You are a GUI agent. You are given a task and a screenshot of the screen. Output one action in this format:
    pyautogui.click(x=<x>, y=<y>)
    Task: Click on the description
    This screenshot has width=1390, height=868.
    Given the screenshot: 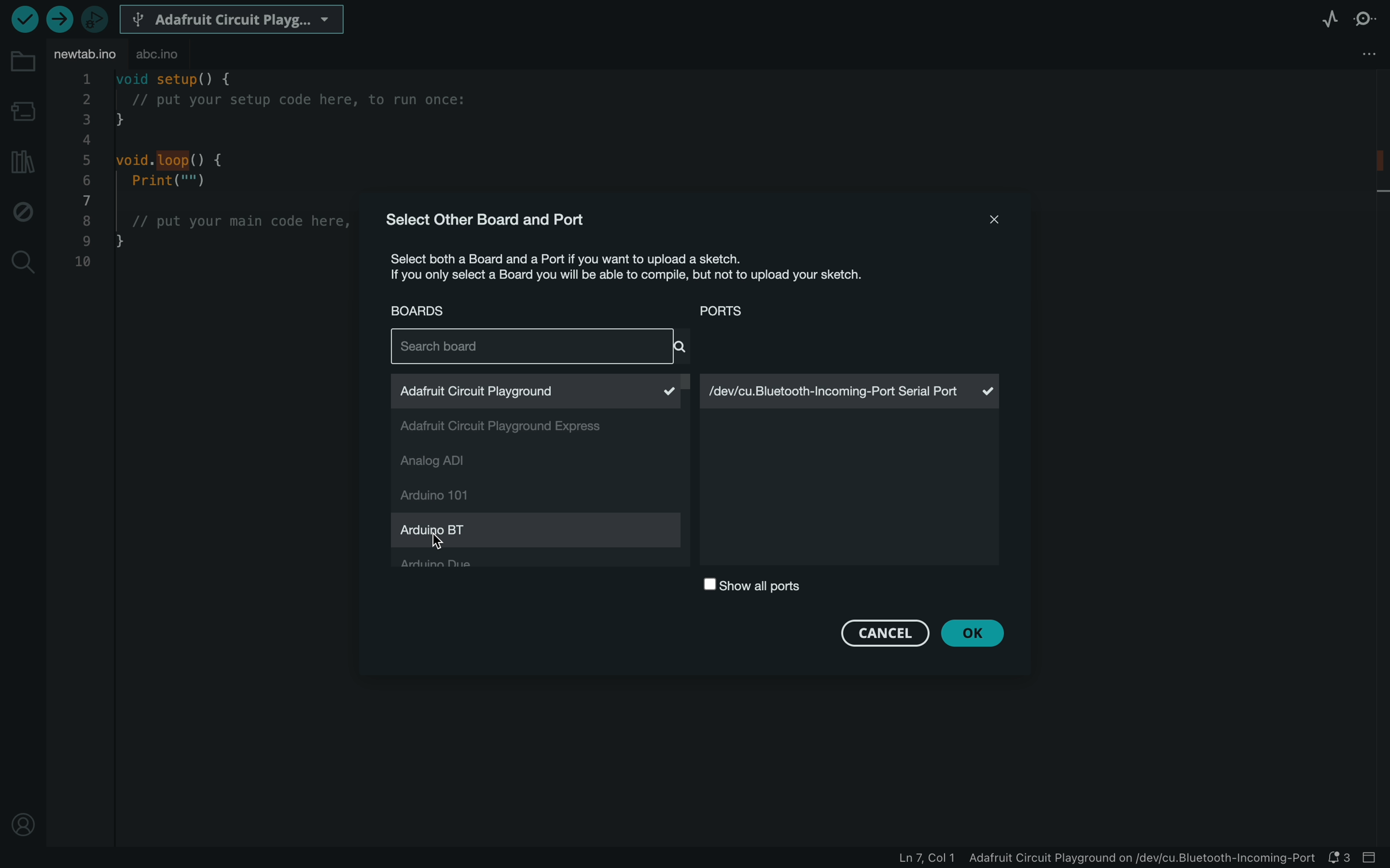 What is the action you would take?
    pyautogui.click(x=648, y=272)
    